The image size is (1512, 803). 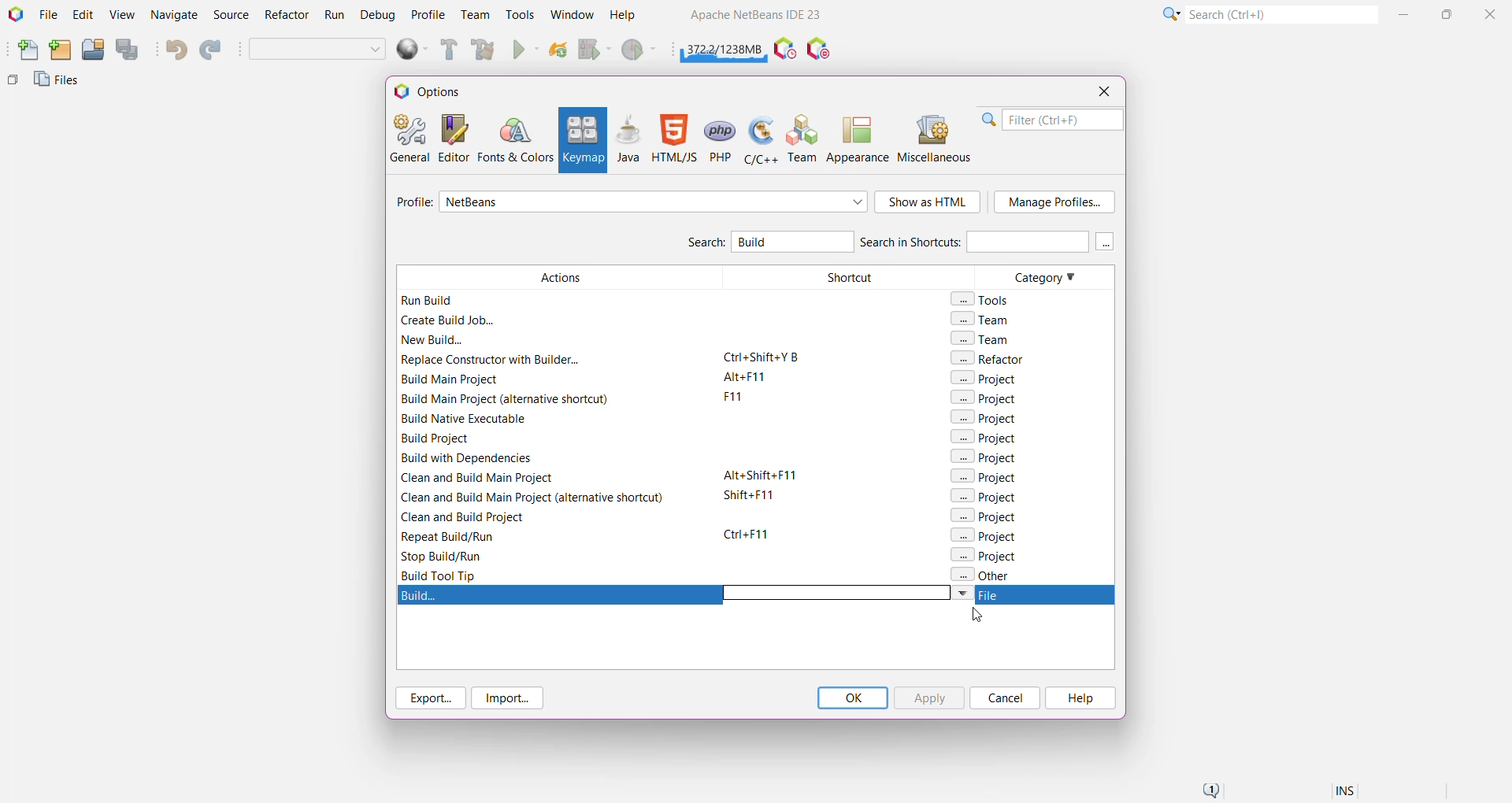 I want to click on OK, so click(x=852, y=698).